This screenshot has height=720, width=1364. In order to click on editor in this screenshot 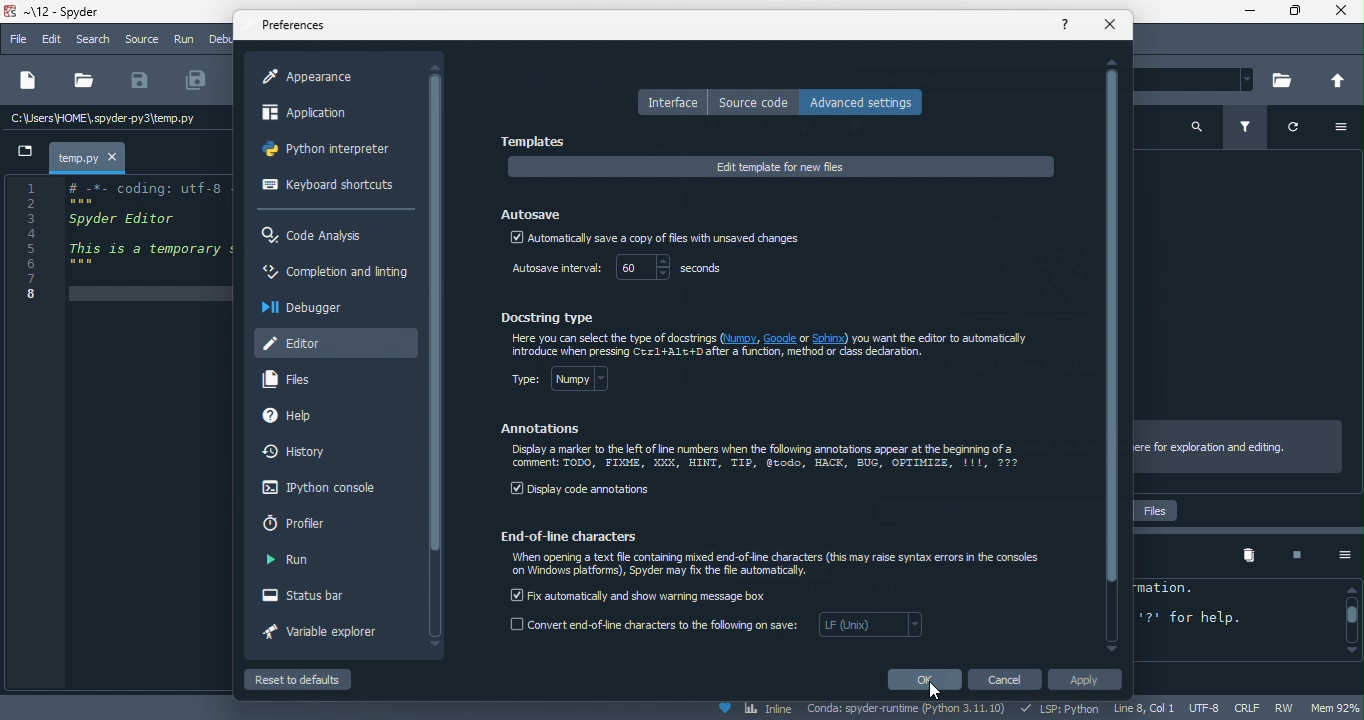, I will do `click(335, 341)`.